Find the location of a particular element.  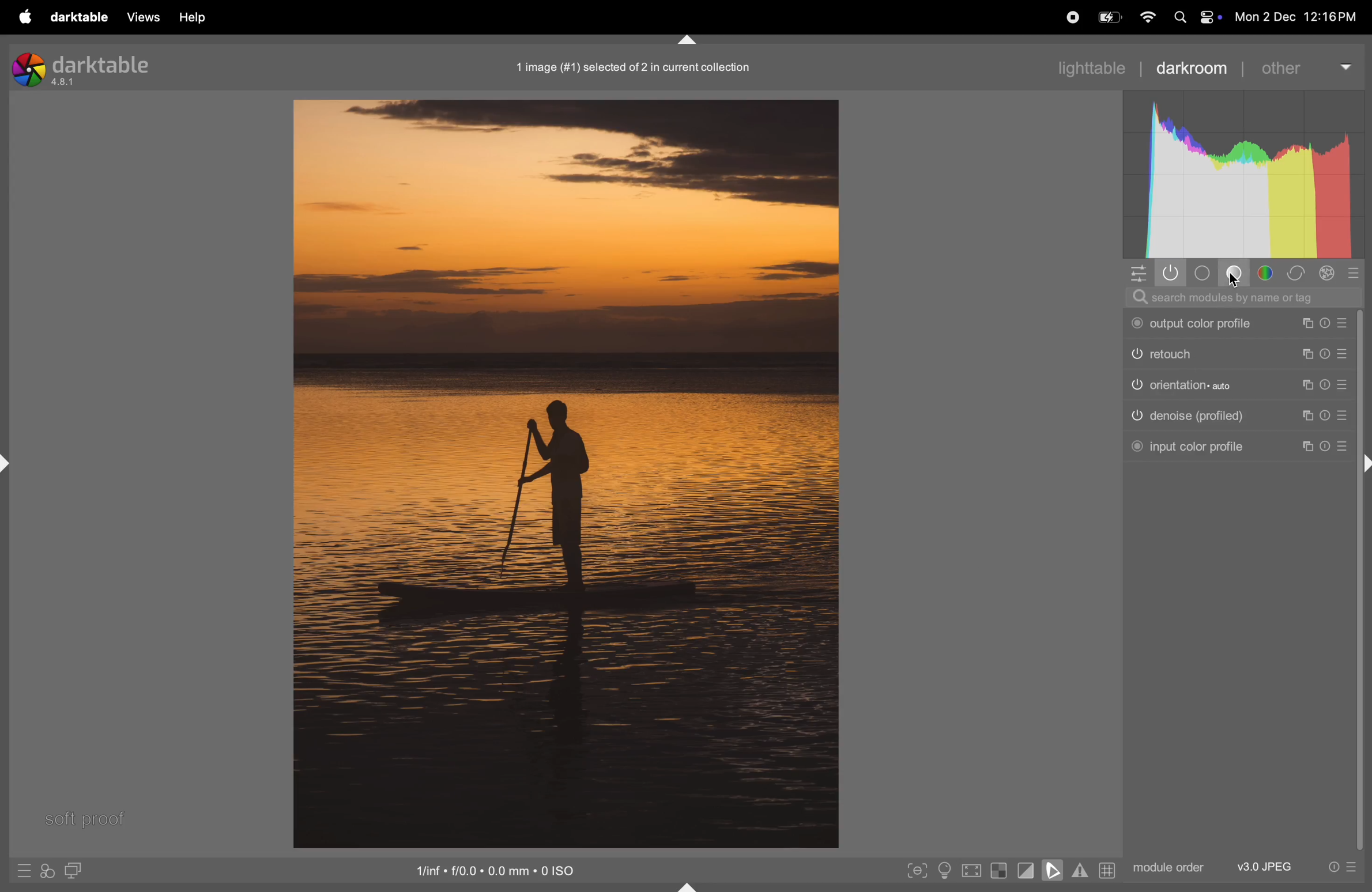

darktable is located at coordinates (78, 18).